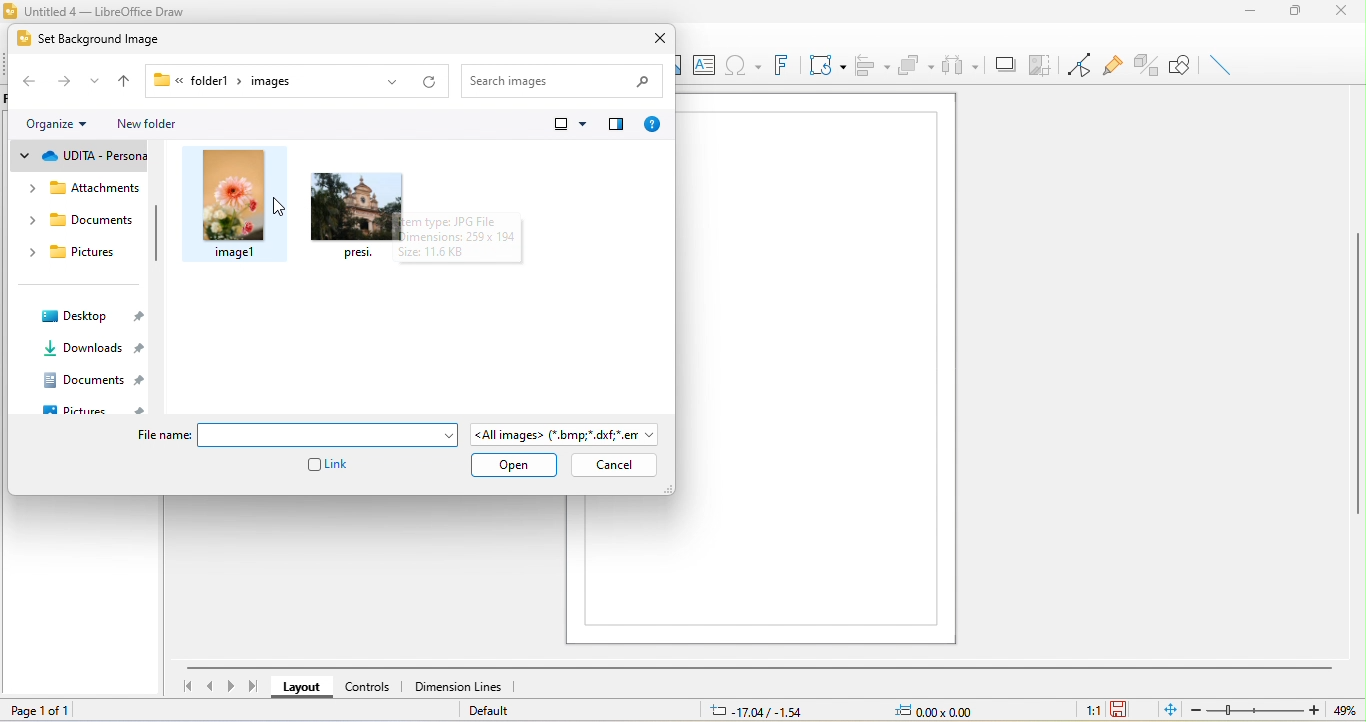 The image size is (1366, 722). Describe the element at coordinates (829, 67) in the screenshot. I see `transformation` at that location.